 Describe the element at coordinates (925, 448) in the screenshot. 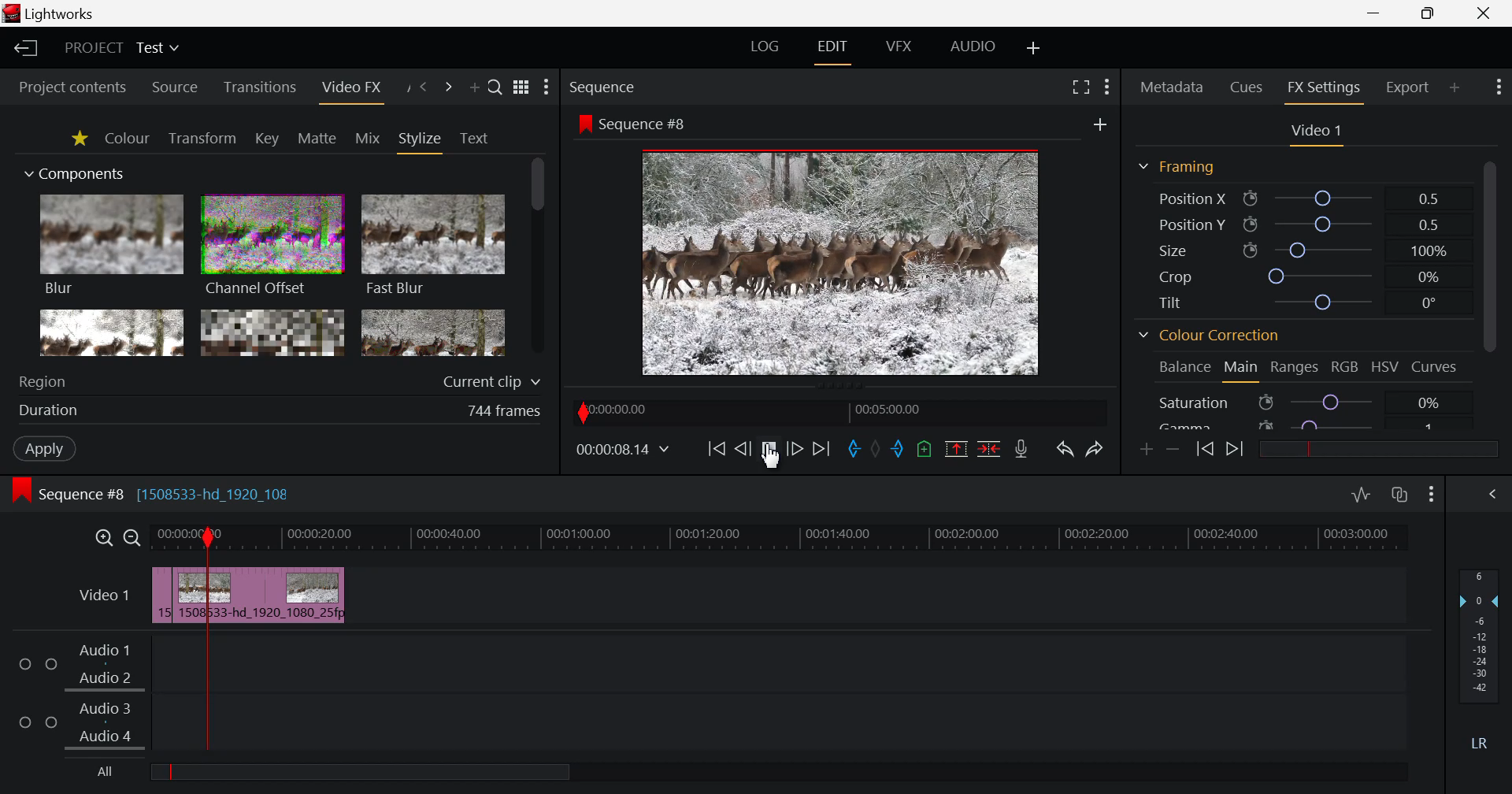

I see `Mark Cue` at that location.